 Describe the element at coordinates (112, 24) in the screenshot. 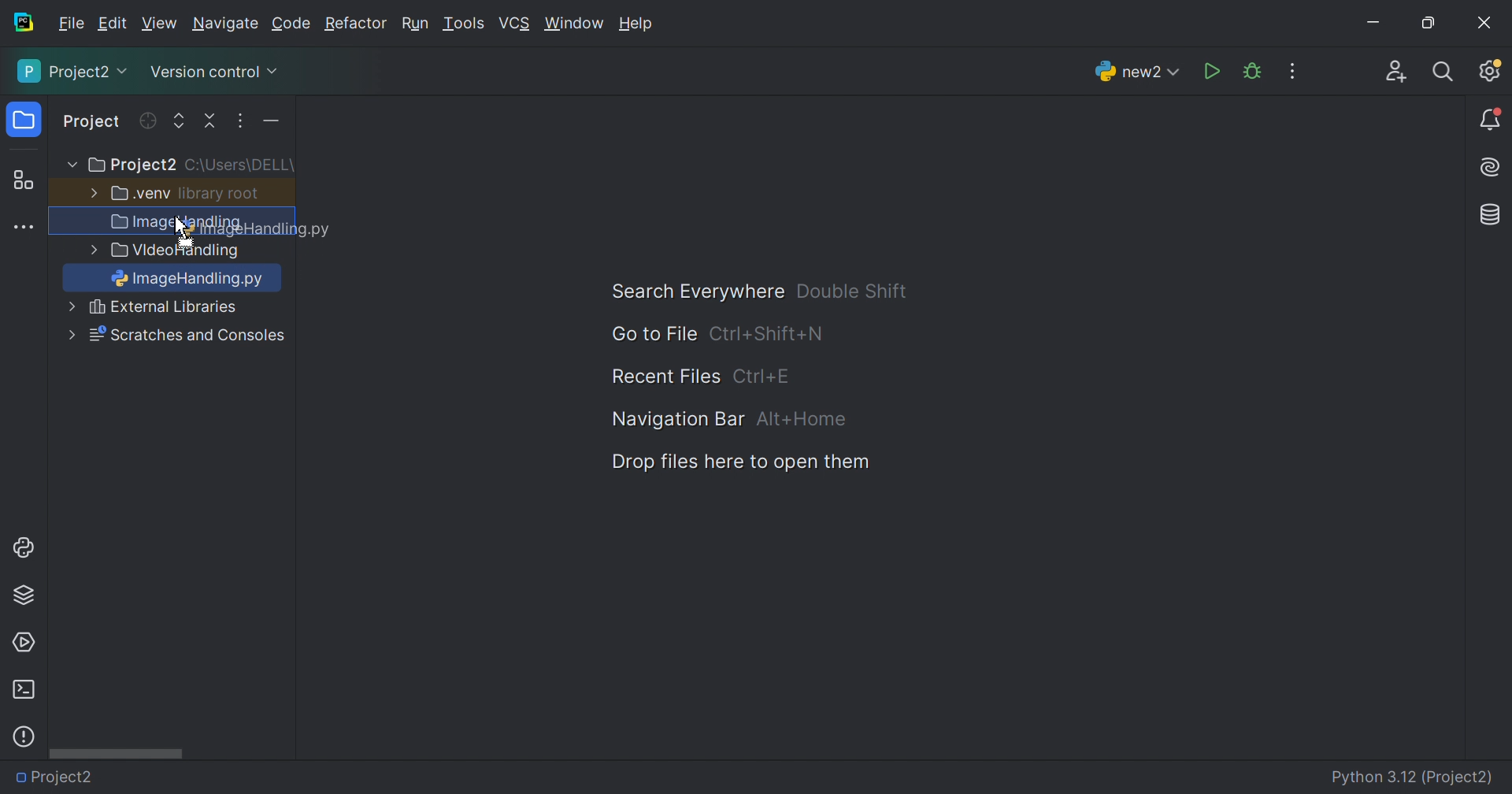

I see `Edit` at that location.